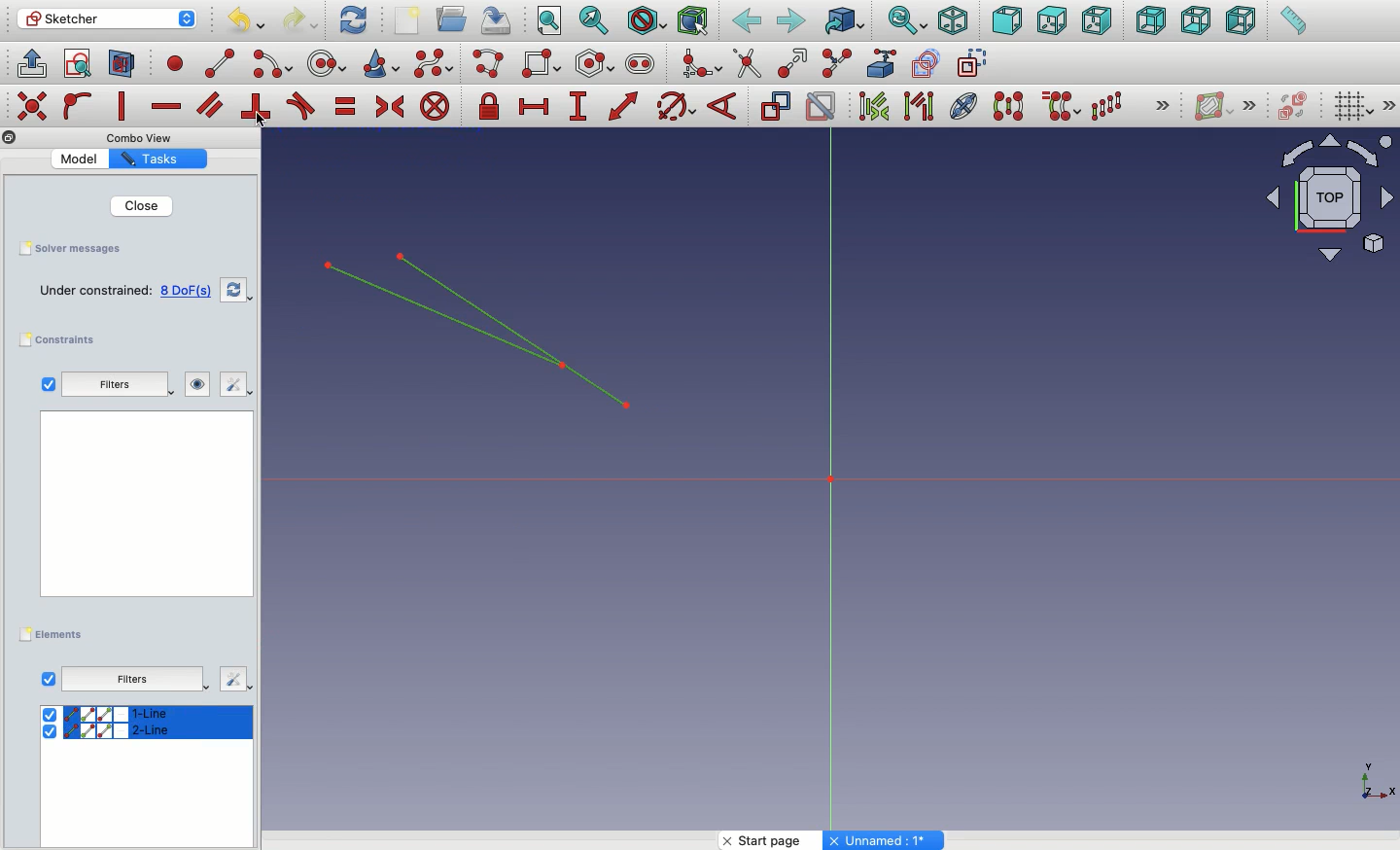  What do you see at coordinates (886, 840) in the screenshot?
I see `` at bounding box center [886, 840].